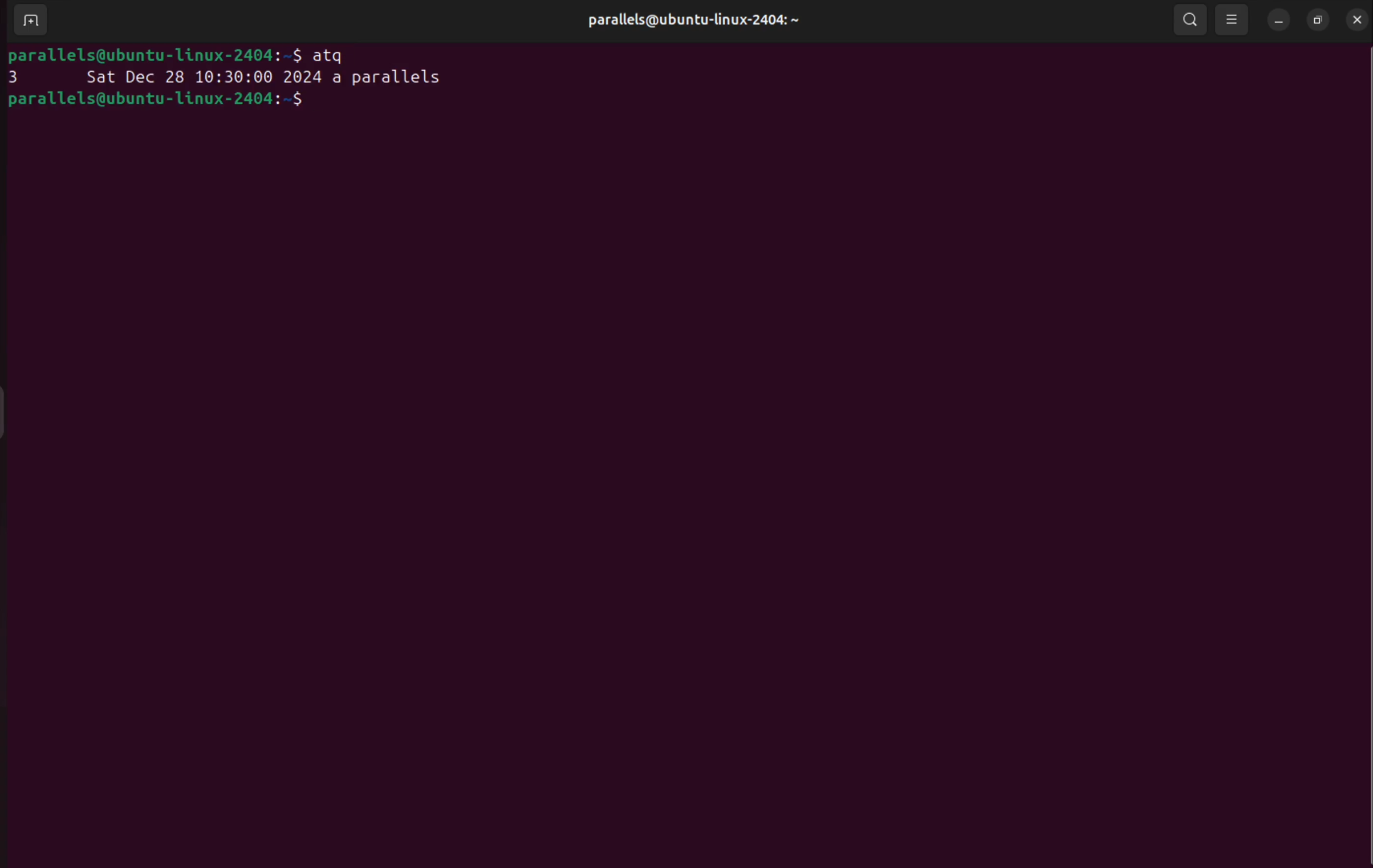 The width and height of the screenshot is (1373, 868). What do you see at coordinates (160, 101) in the screenshot?
I see `bash prmopt` at bounding box center [160, 101].